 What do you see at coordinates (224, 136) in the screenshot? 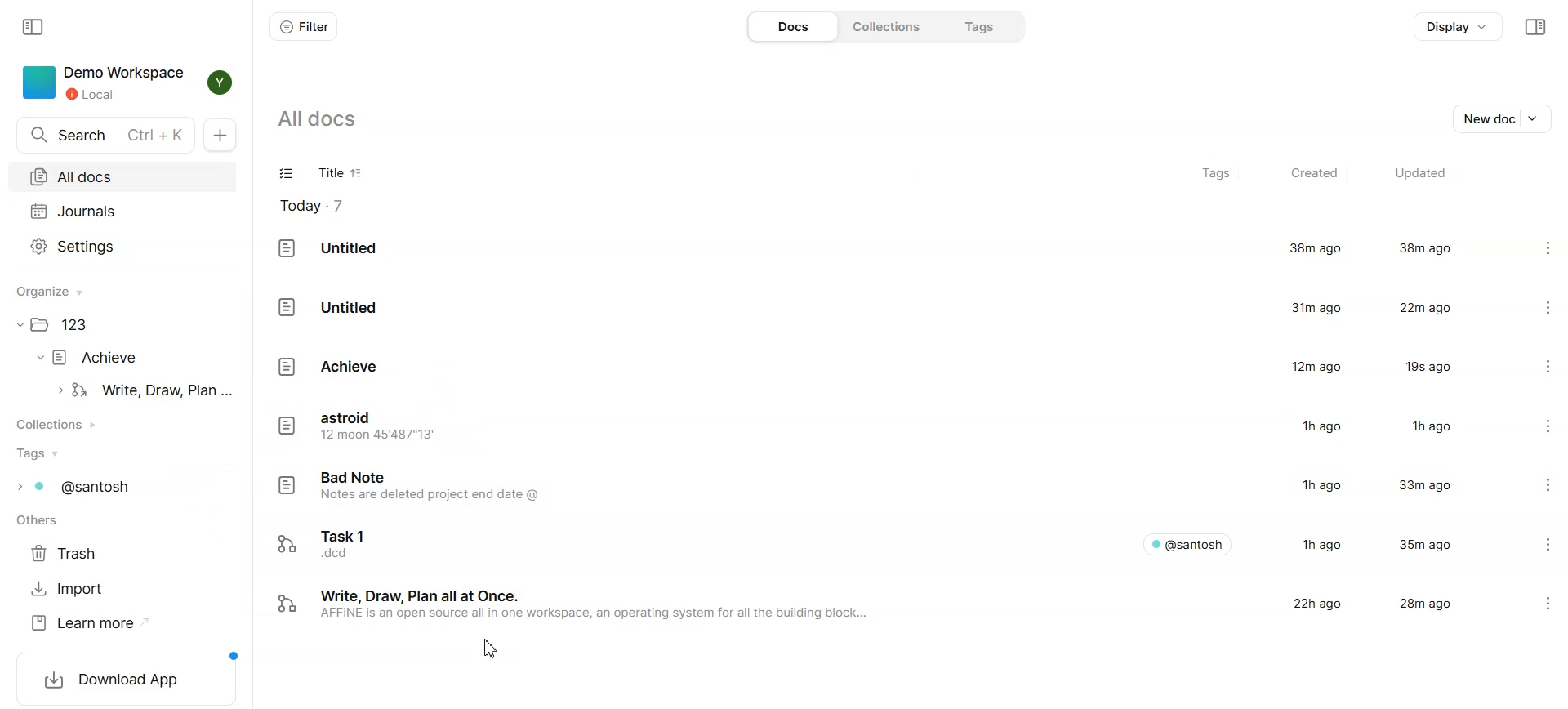
I see `New doc` at bounding box center [224, 136].